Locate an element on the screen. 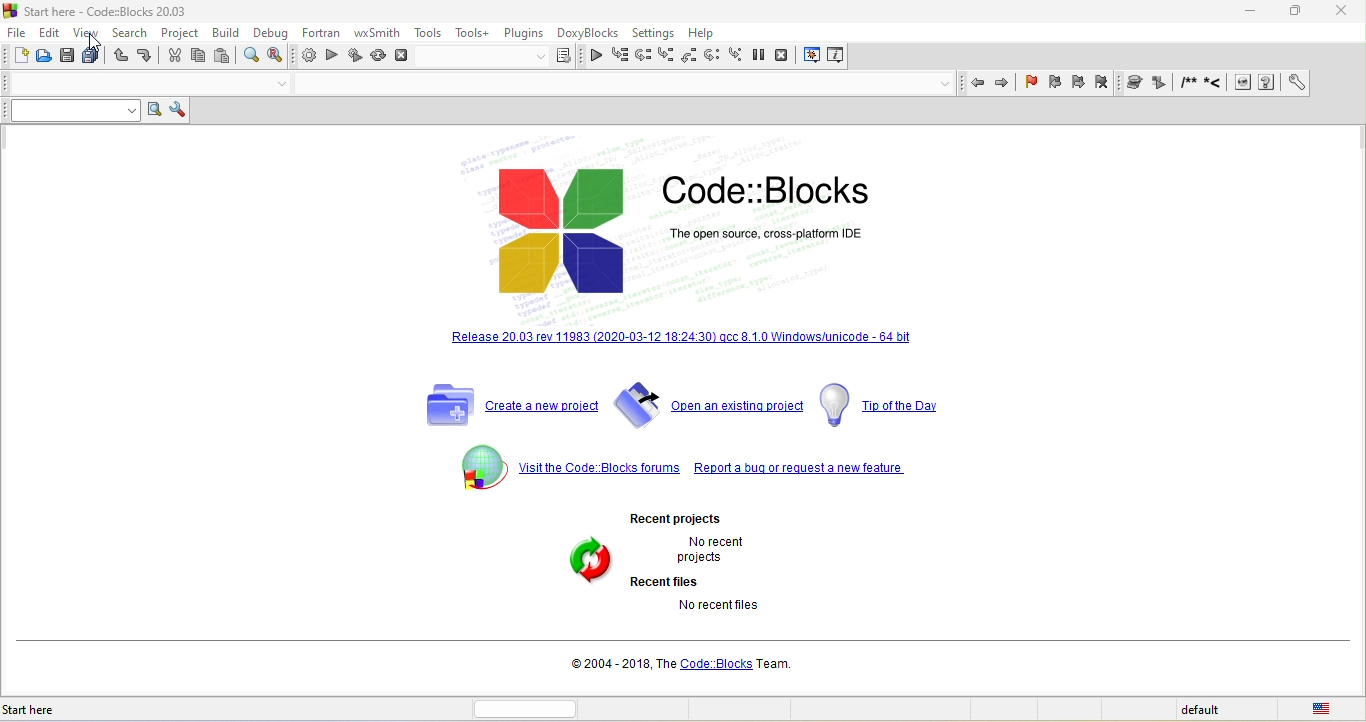 This screenshot has width=1366, height=722. tip of the day is located at coordinates (883, 404).